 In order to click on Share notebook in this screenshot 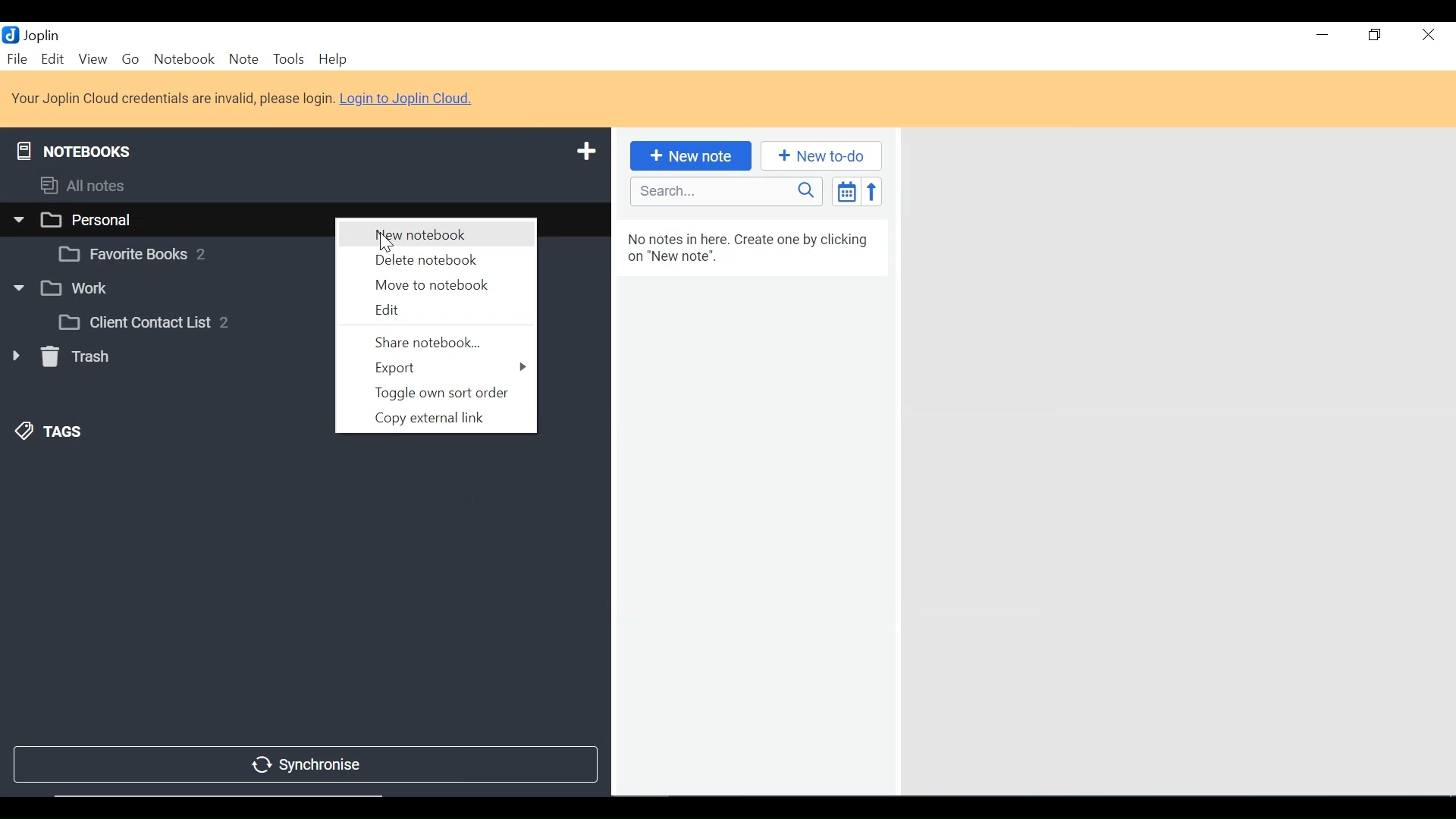, I will do `click(438, 344)`.